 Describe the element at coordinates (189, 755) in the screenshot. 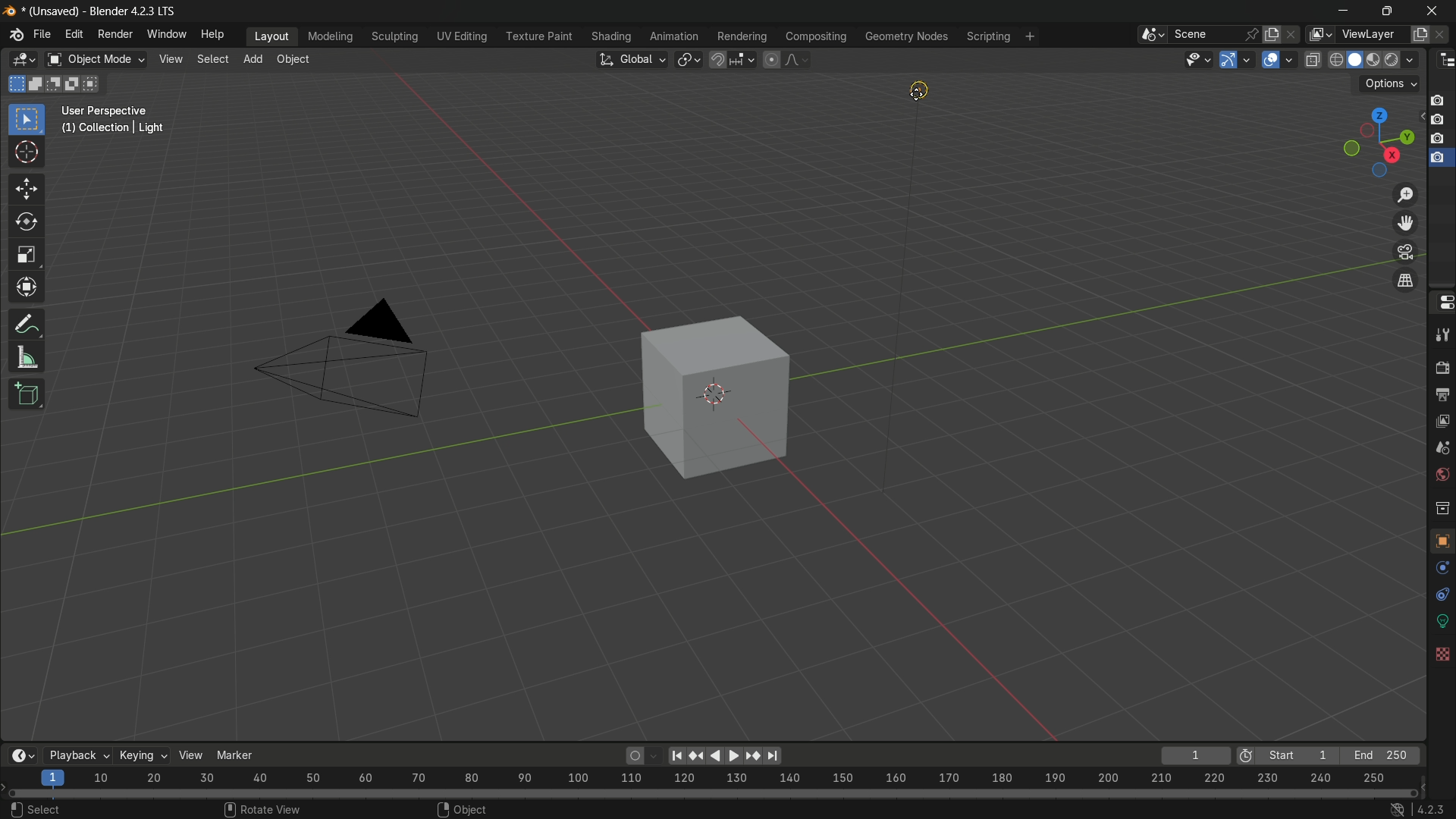

I see `view` at that location.